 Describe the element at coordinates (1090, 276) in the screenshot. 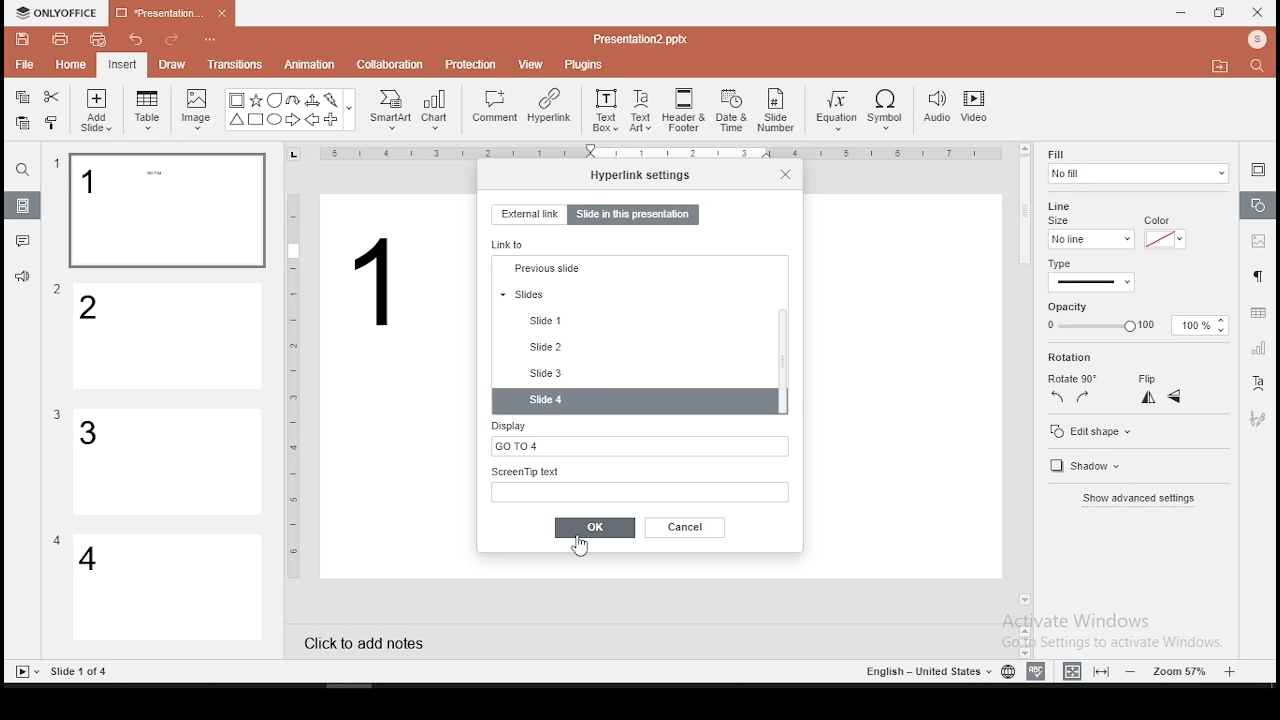

I see `line type` at that location.